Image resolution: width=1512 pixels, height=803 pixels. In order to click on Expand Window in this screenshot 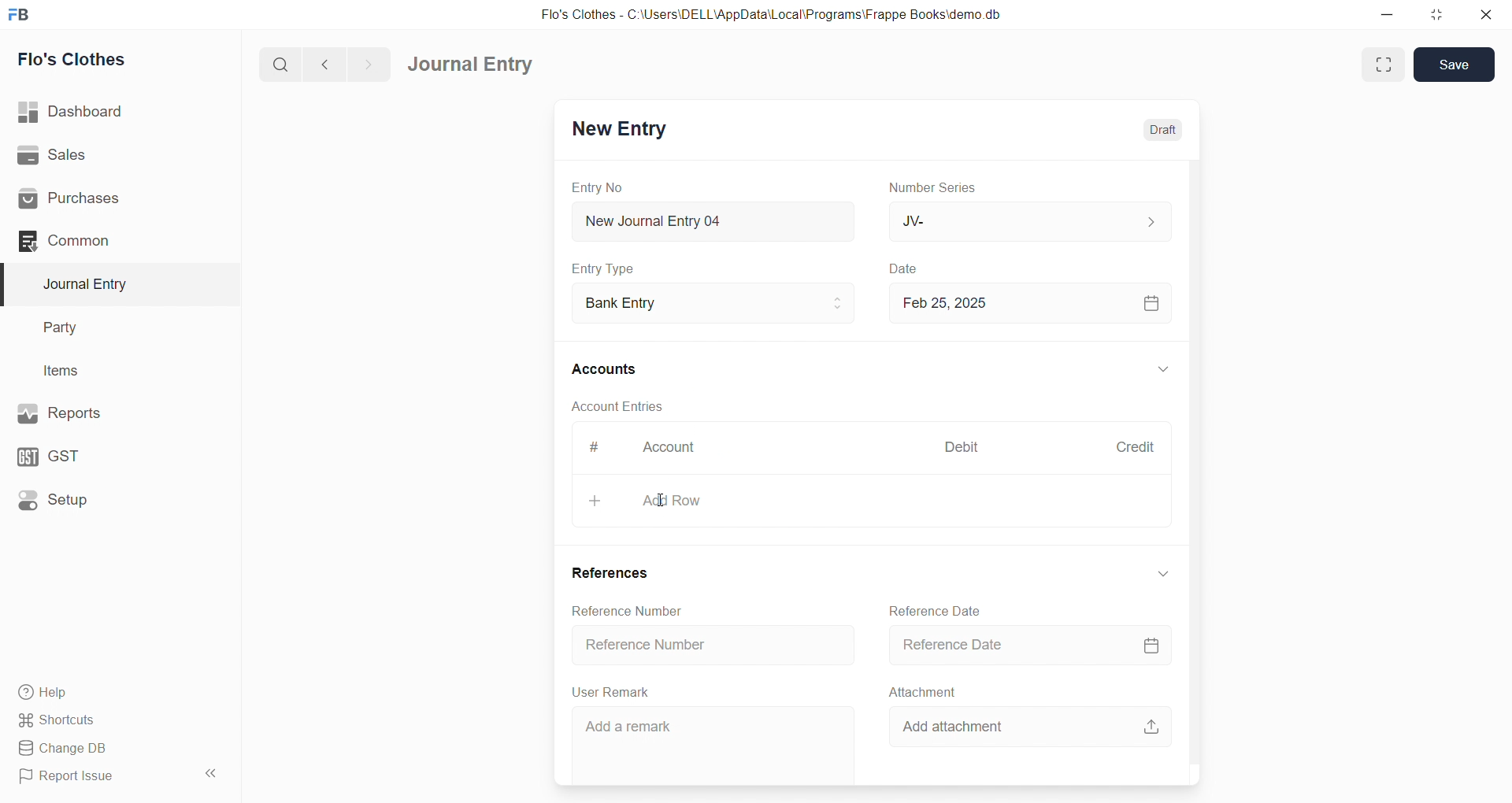, I will do `click(1381, 65)`.